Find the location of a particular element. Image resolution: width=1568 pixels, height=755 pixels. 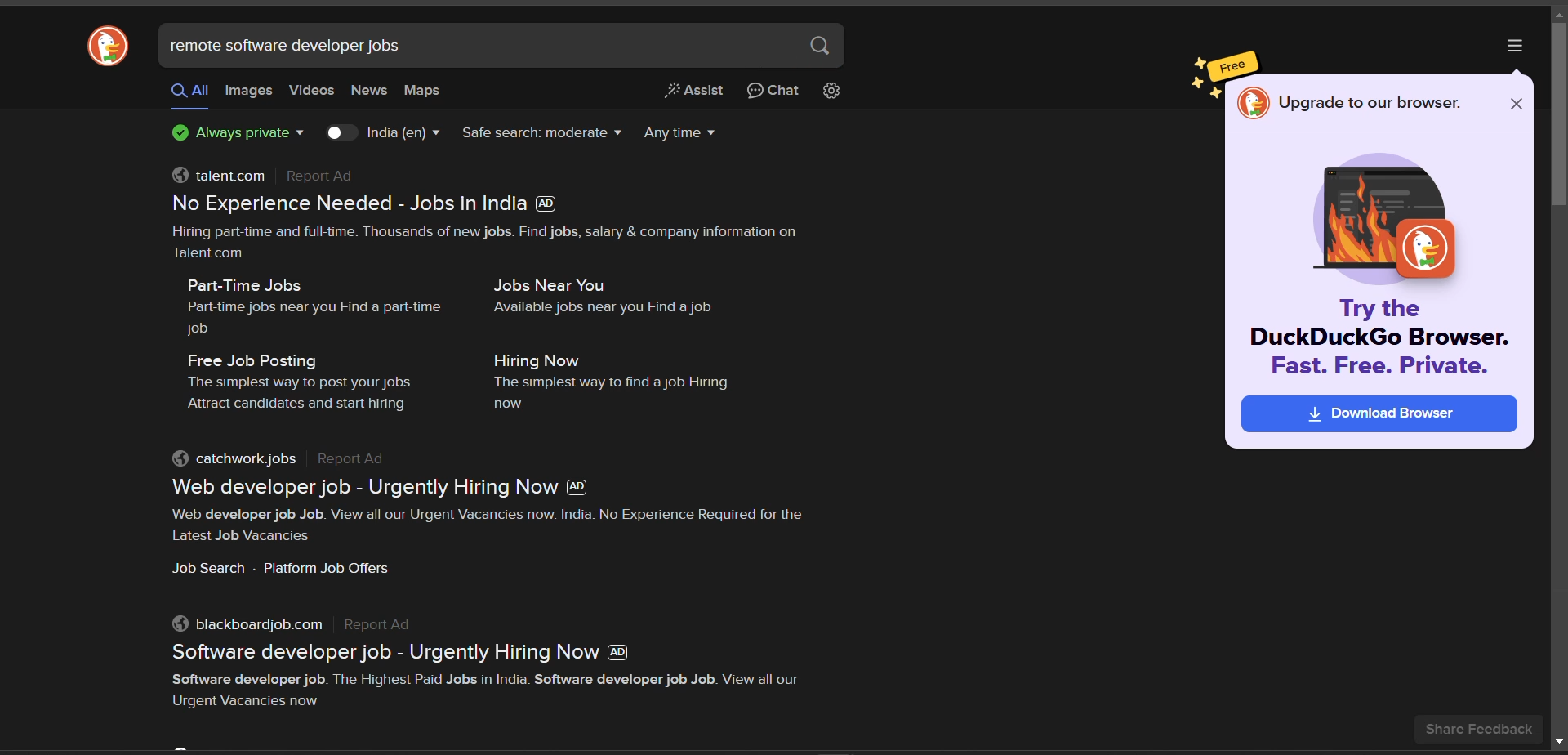

Free Job Posting is located at coordinates (266, 360).